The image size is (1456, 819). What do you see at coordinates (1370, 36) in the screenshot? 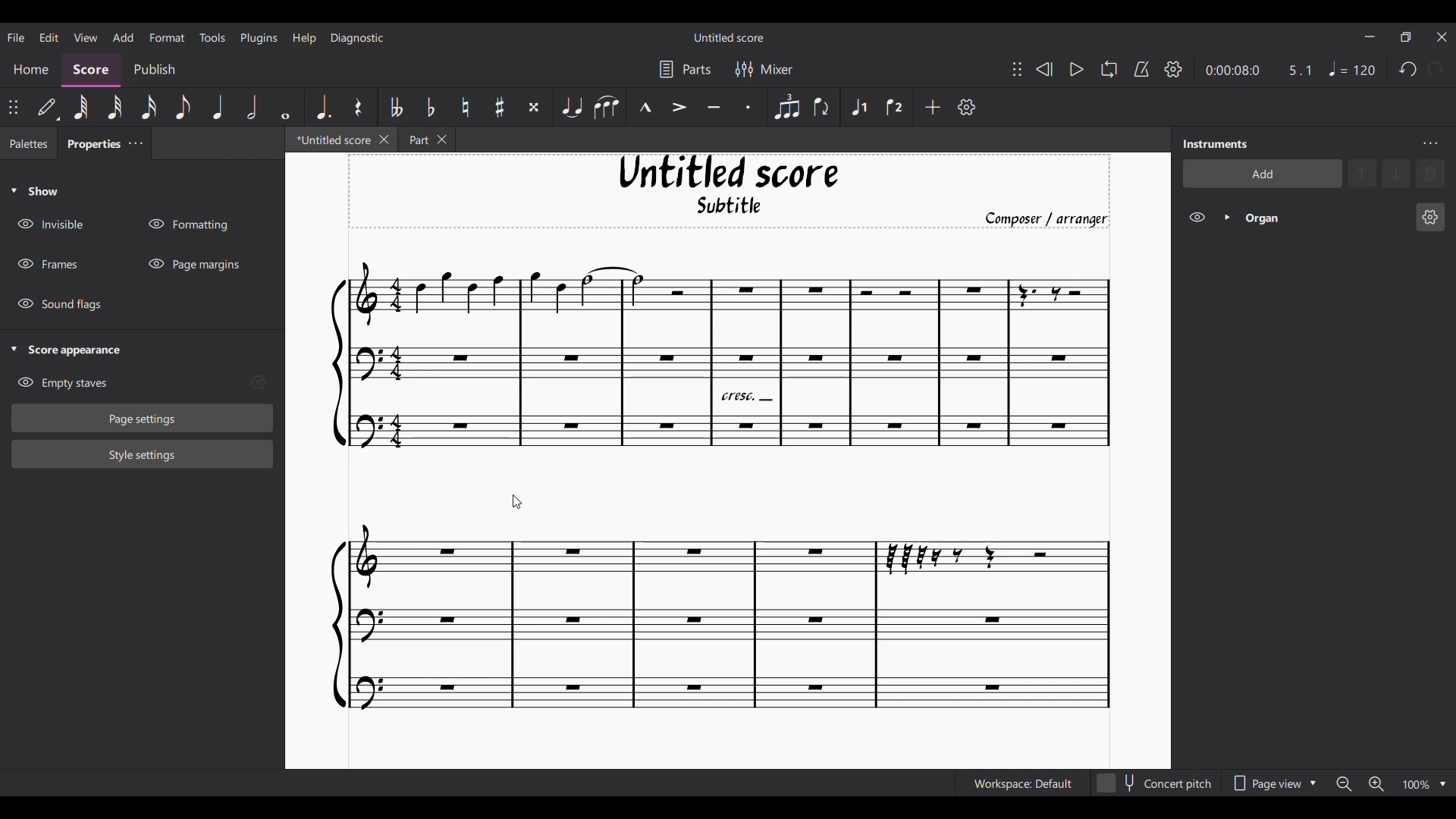
I see `Minimize` at bounding box center [1370, 36].